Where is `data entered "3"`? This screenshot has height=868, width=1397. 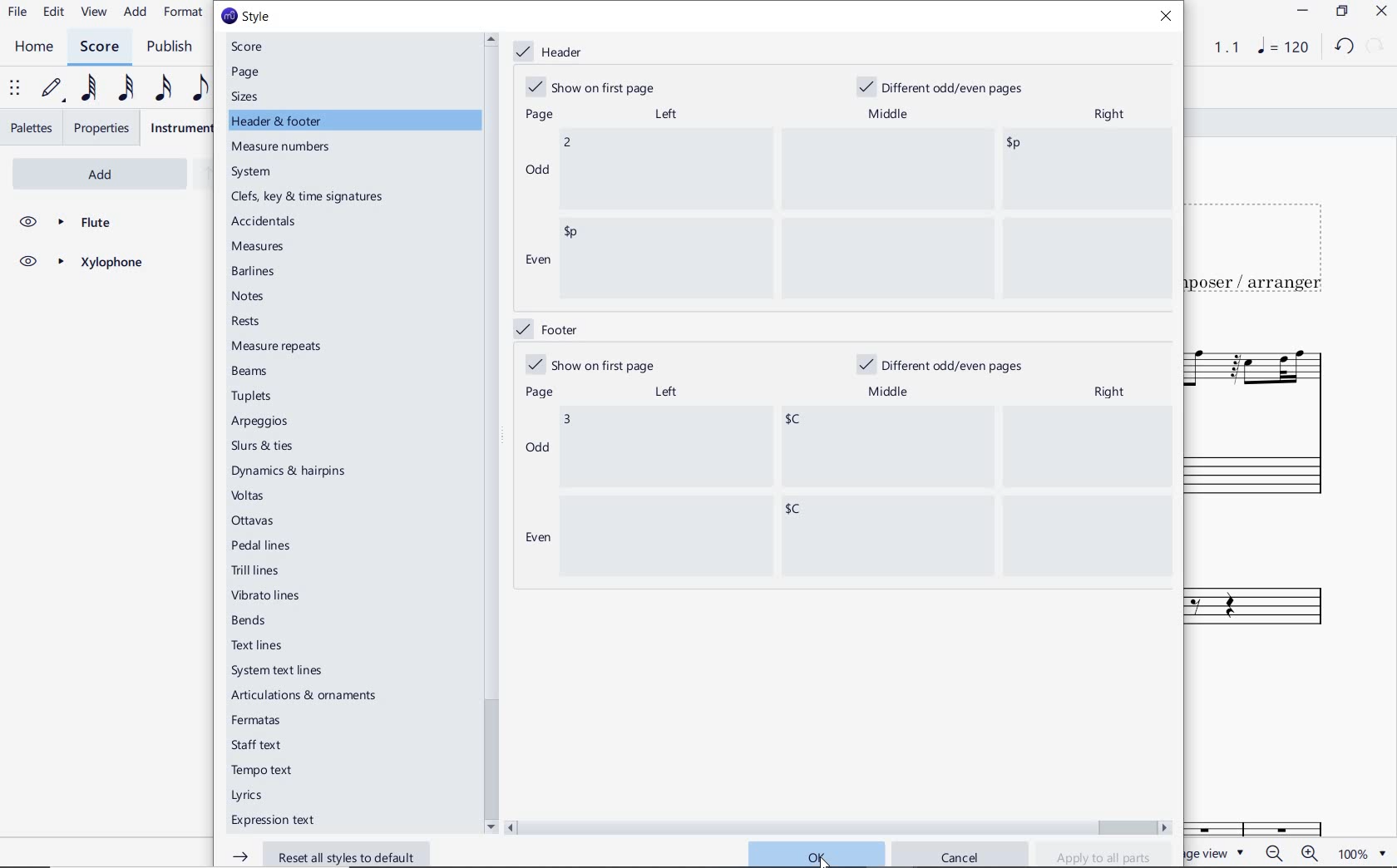 data entered "3" is located at coordinates (864, 491).